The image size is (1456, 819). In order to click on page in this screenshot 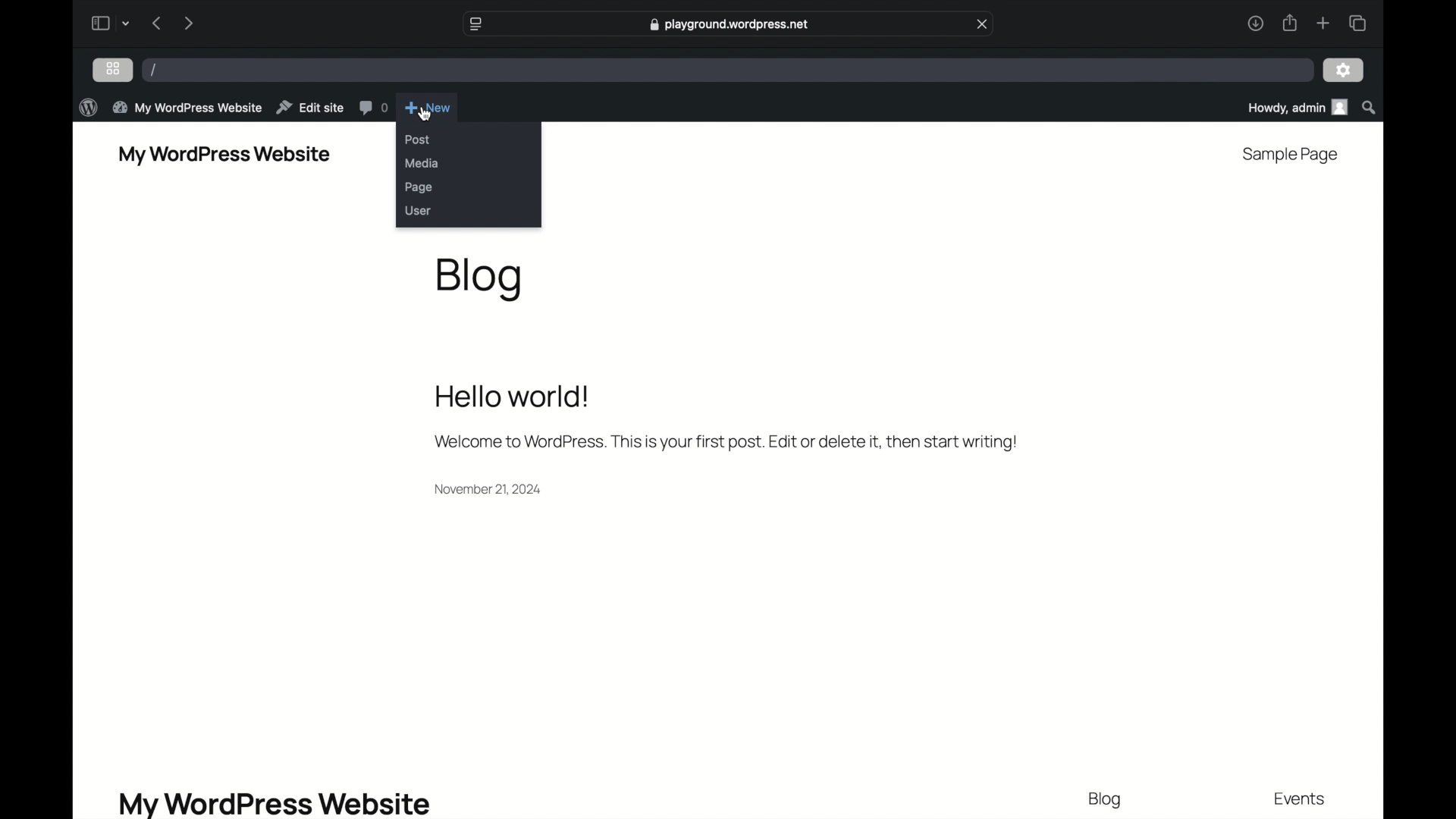, I will do `click(419, 187)`.